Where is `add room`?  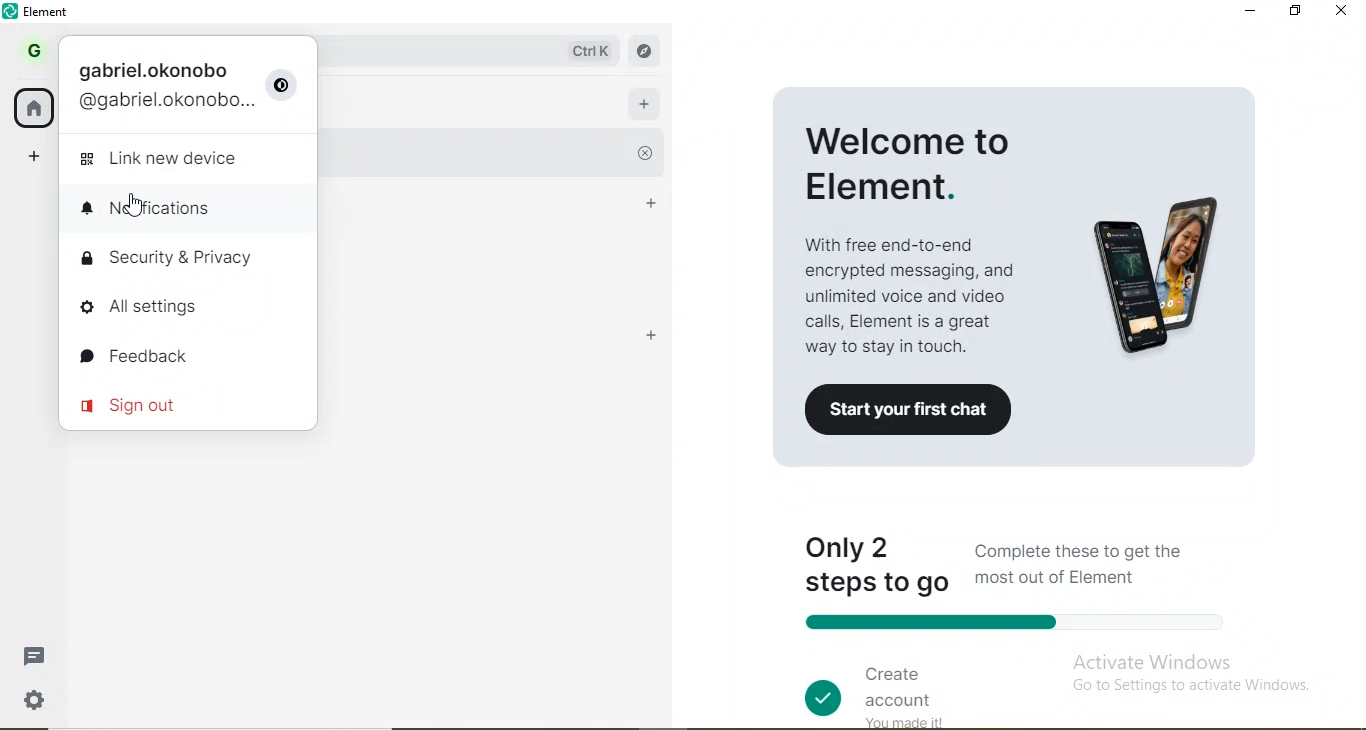 add room is located at coordinates (644, 106).